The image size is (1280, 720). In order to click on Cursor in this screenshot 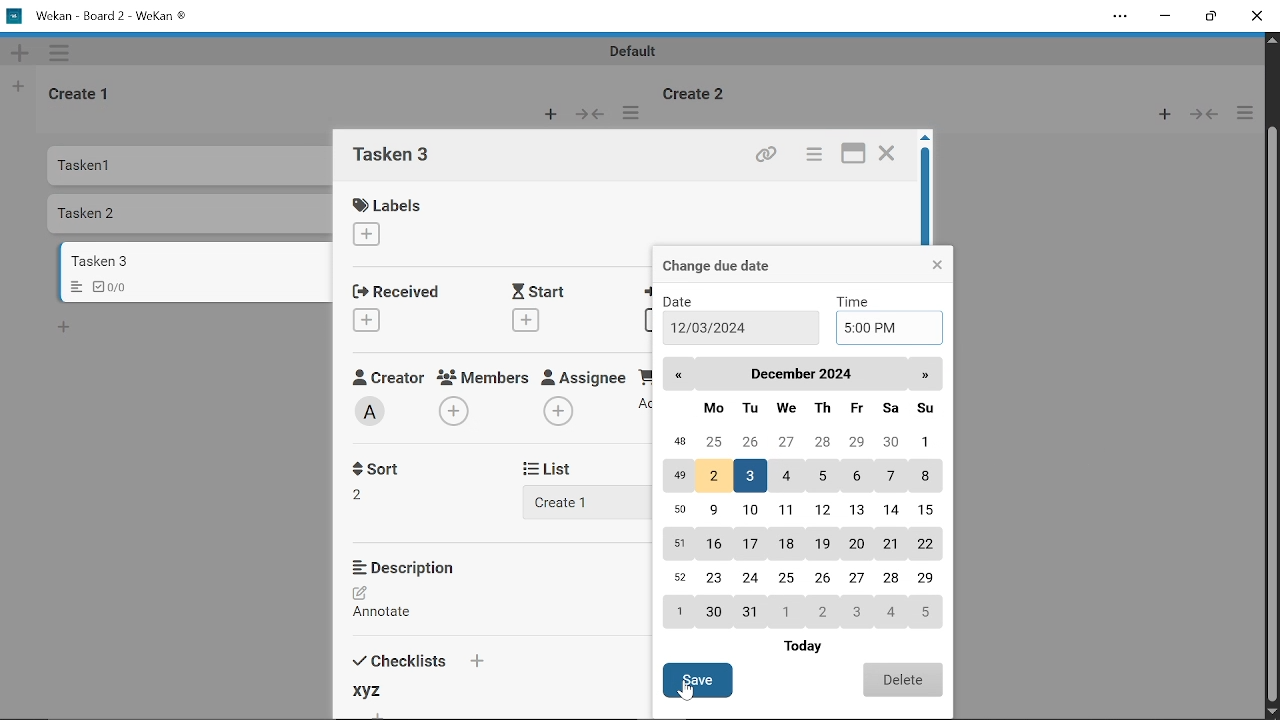, I will do `click(687, 692)`.